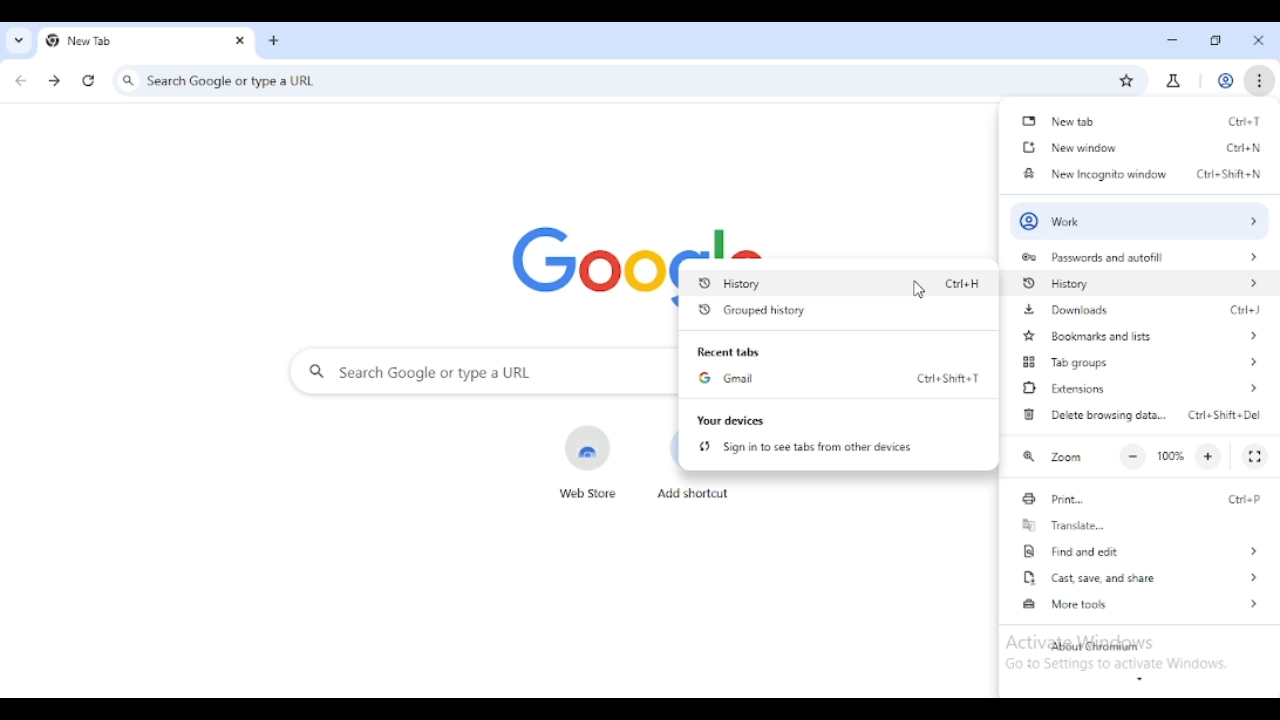  What do you see at coordinates (727, 352) in the screenshot?
I see `recent tabs` at bounding box center [727, 352].